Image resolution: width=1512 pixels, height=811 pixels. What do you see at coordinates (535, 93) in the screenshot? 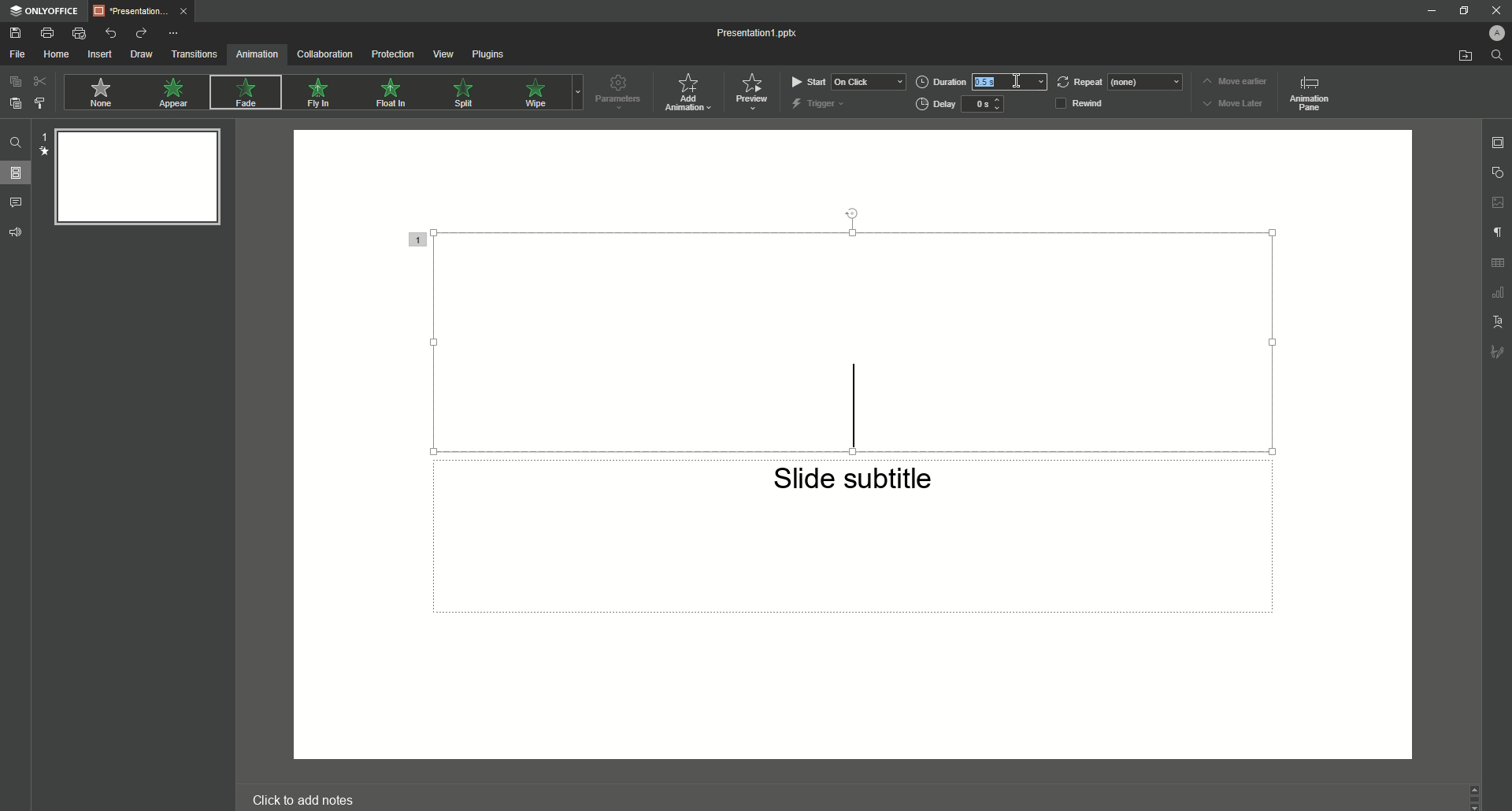
I see `Wipe` at bounding box center [535, 93].